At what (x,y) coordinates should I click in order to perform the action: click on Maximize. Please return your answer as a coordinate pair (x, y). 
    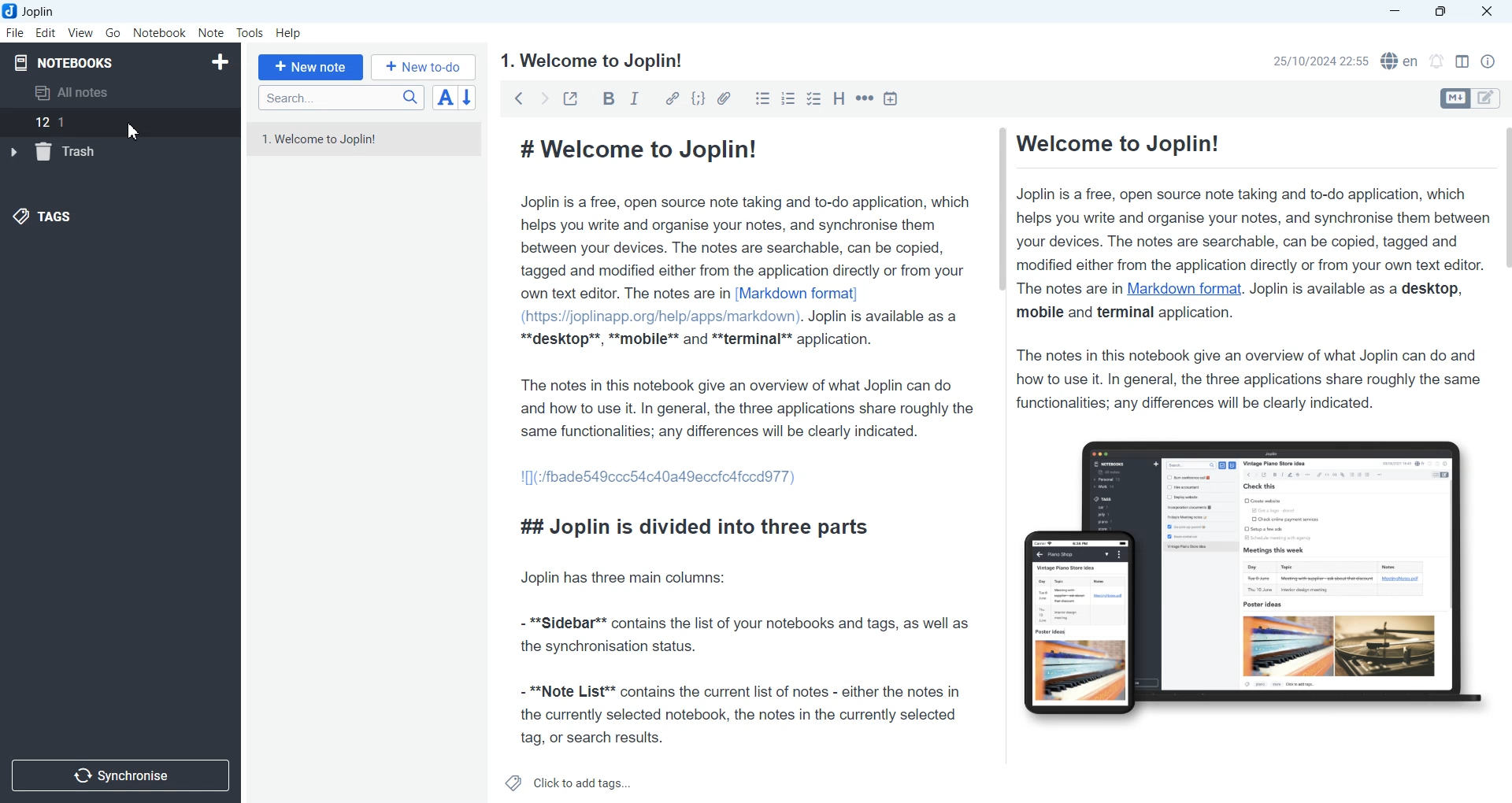
    Looking at the image, I should click on (1443, 12).